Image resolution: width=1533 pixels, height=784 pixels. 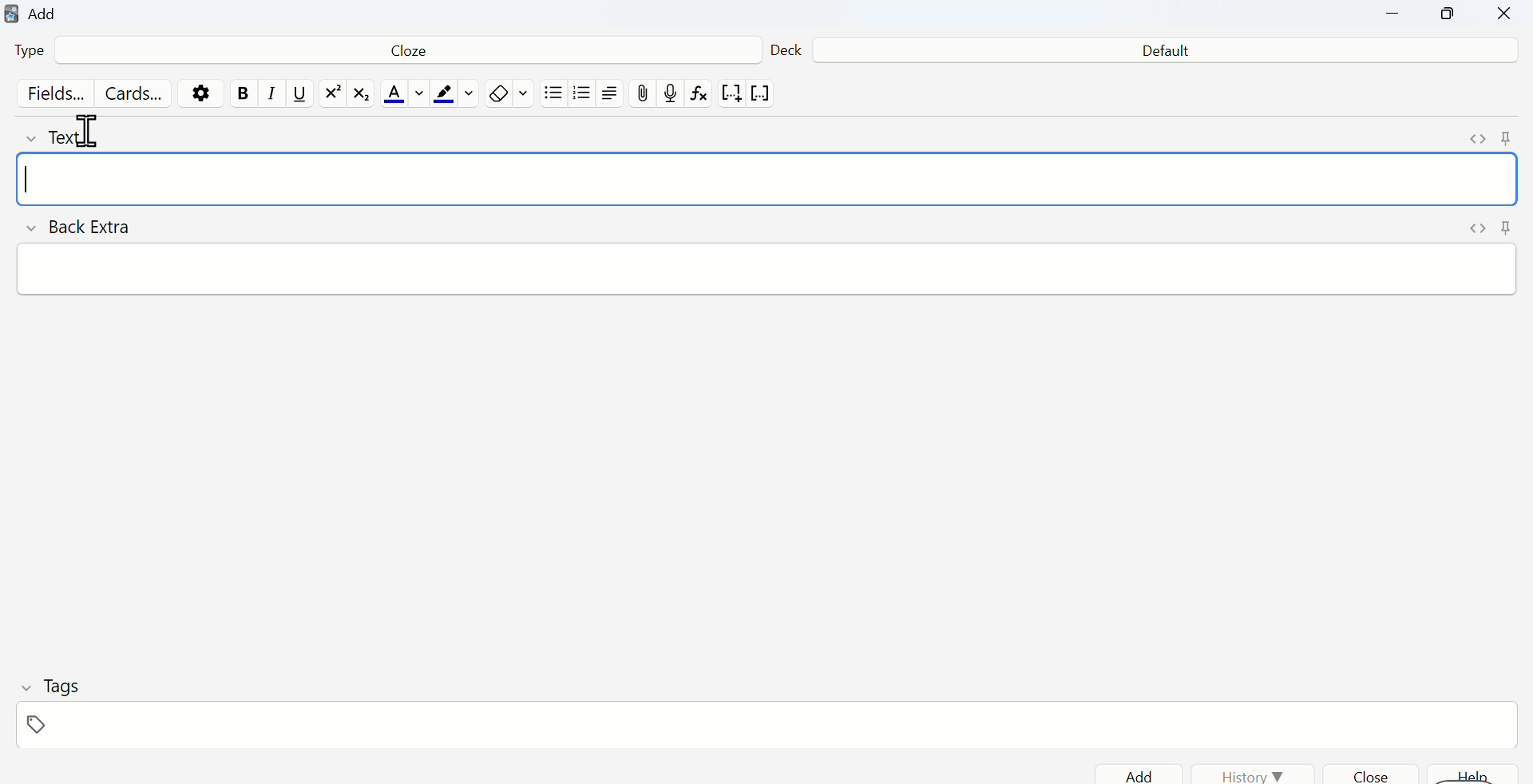 I want to click on Bold, so click(x=243, y=93).